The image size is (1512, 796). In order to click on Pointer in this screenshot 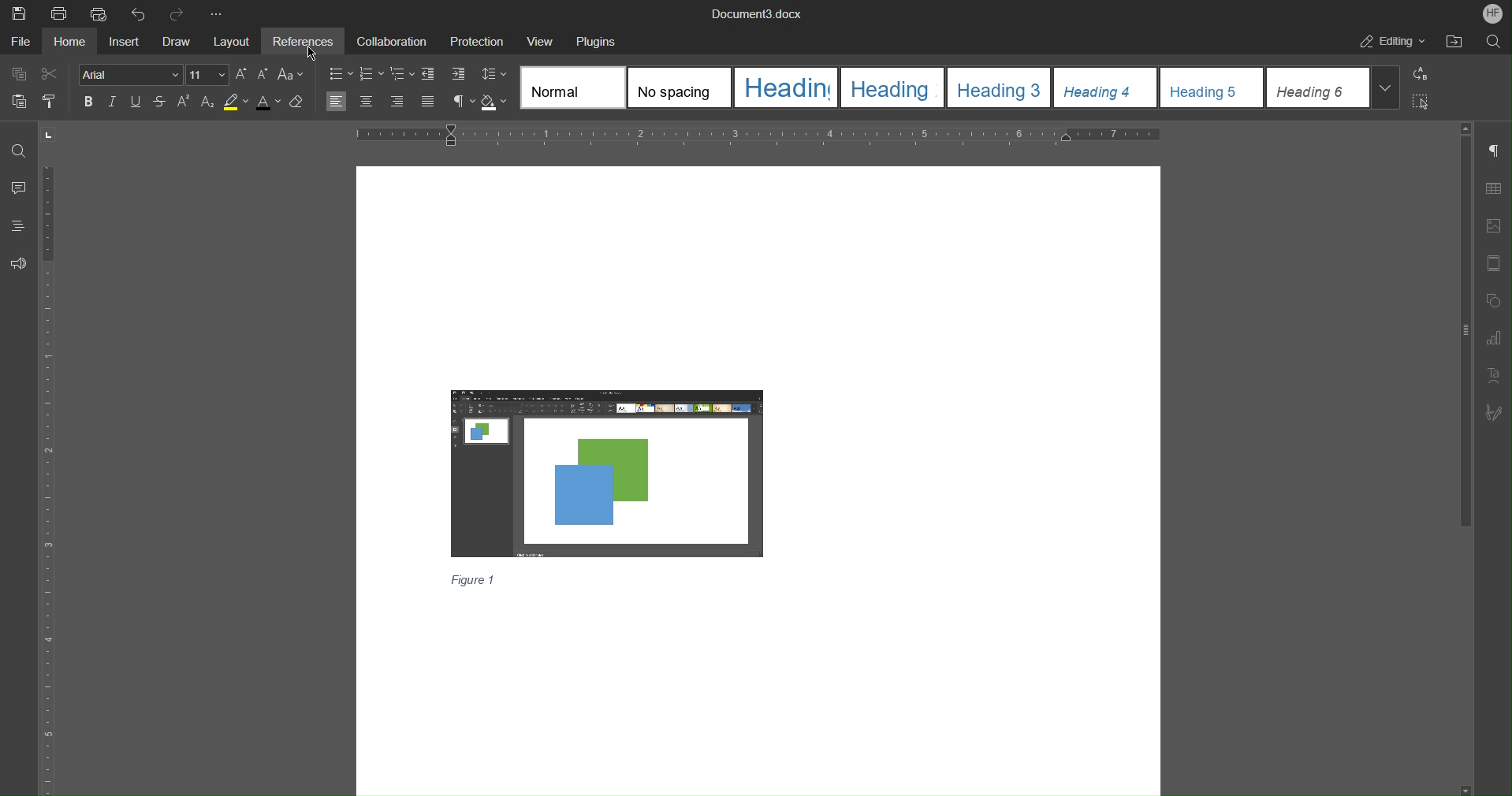, I will do `click(313, 54)`.